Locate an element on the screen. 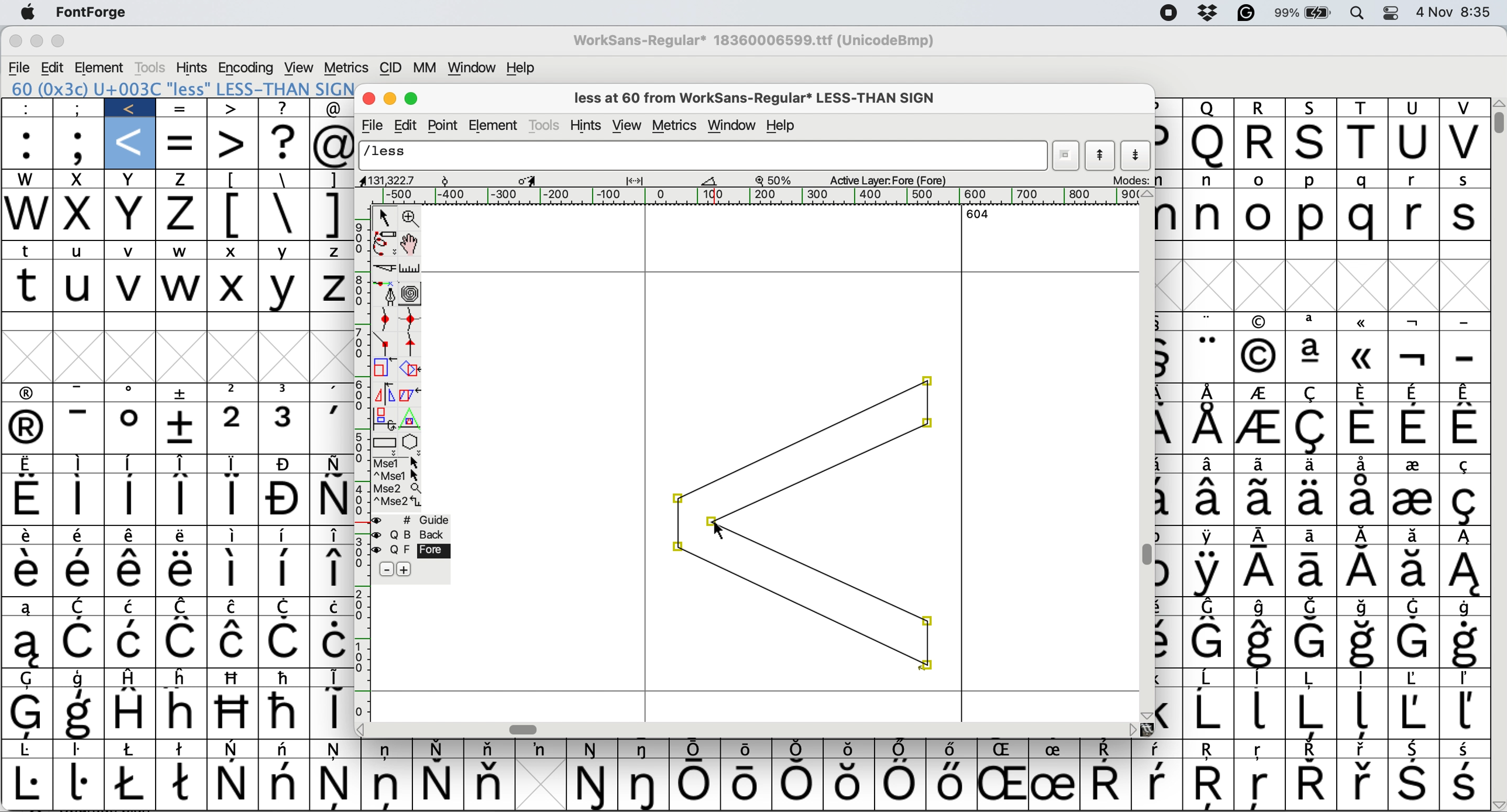  x is located at coordinates (233, 252).